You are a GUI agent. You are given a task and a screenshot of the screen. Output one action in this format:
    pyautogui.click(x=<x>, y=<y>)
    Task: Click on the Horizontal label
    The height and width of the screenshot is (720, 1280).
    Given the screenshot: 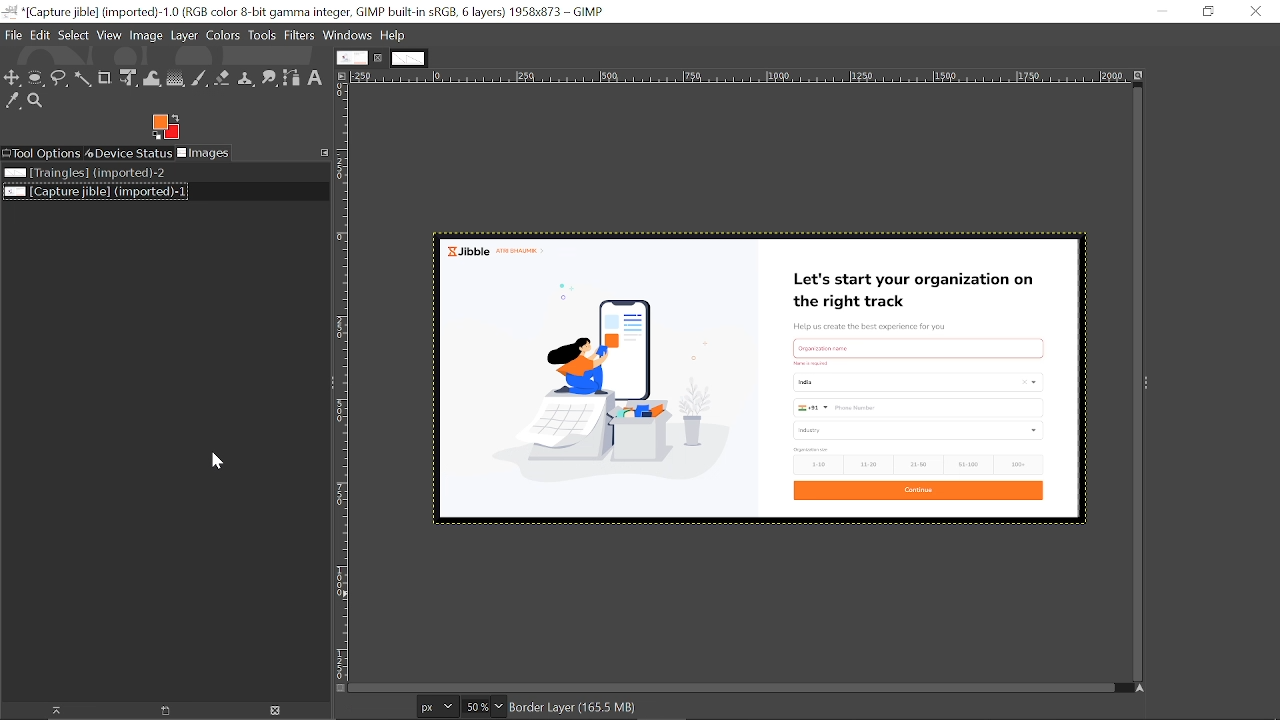 What is the action you would take?
    pyautogui.click(x=742, y=77)
    